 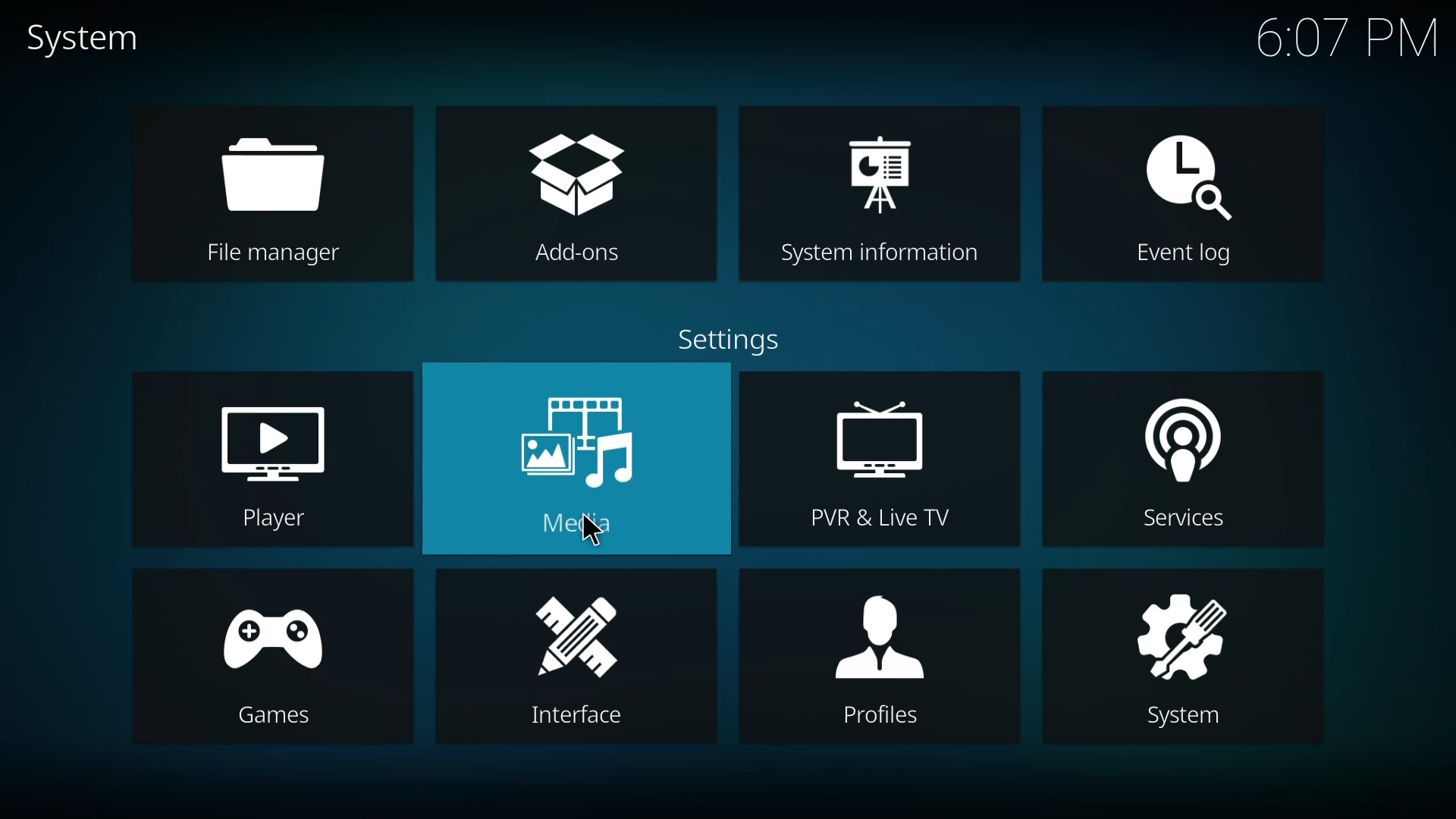 I want to click on pvr & live tv, so click(x=881, y=442).